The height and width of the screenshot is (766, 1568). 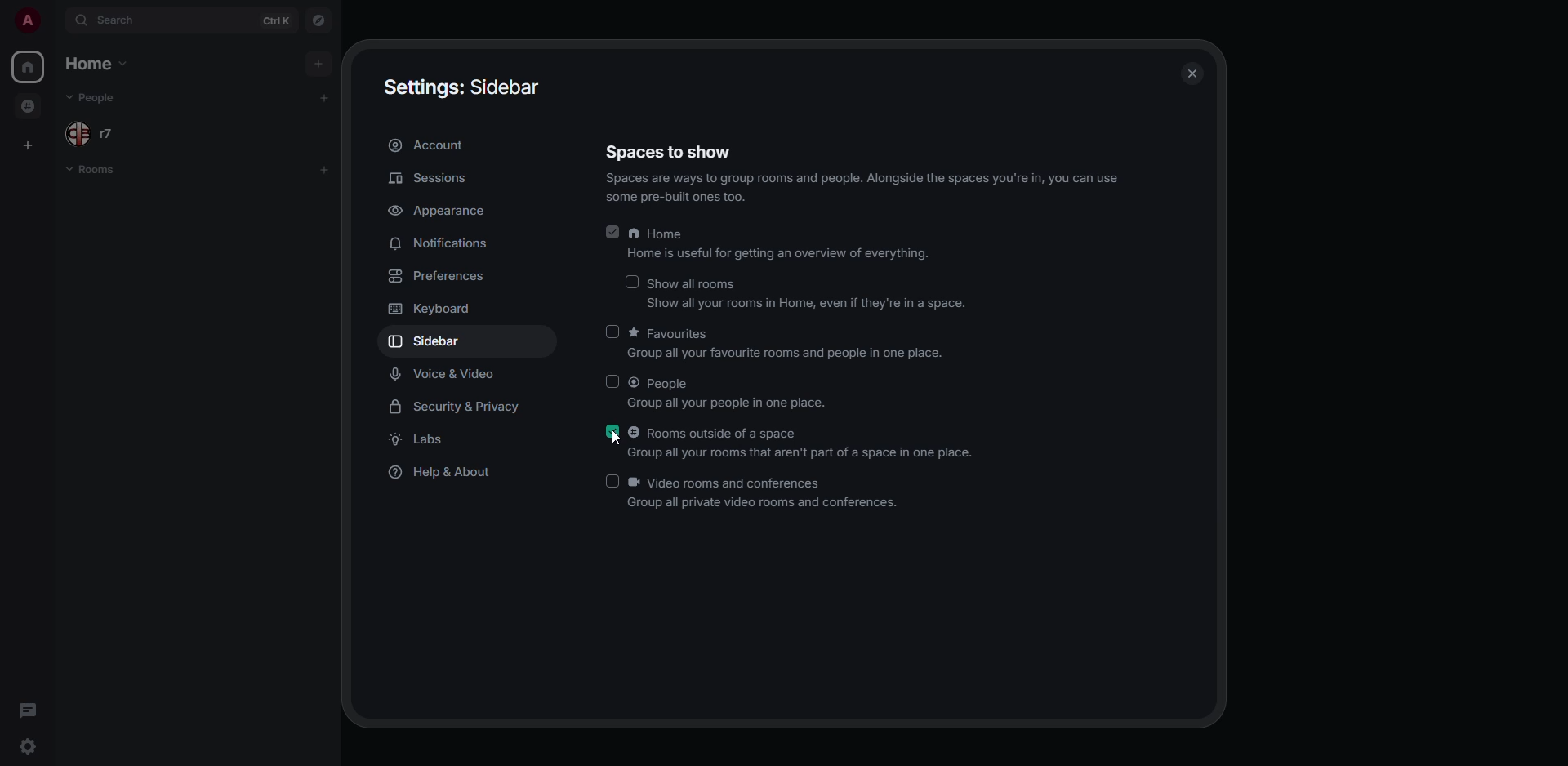 What do you see at coordinates (93, 64) in the screenshot?
I see `home` at bounding box center [93, 64].